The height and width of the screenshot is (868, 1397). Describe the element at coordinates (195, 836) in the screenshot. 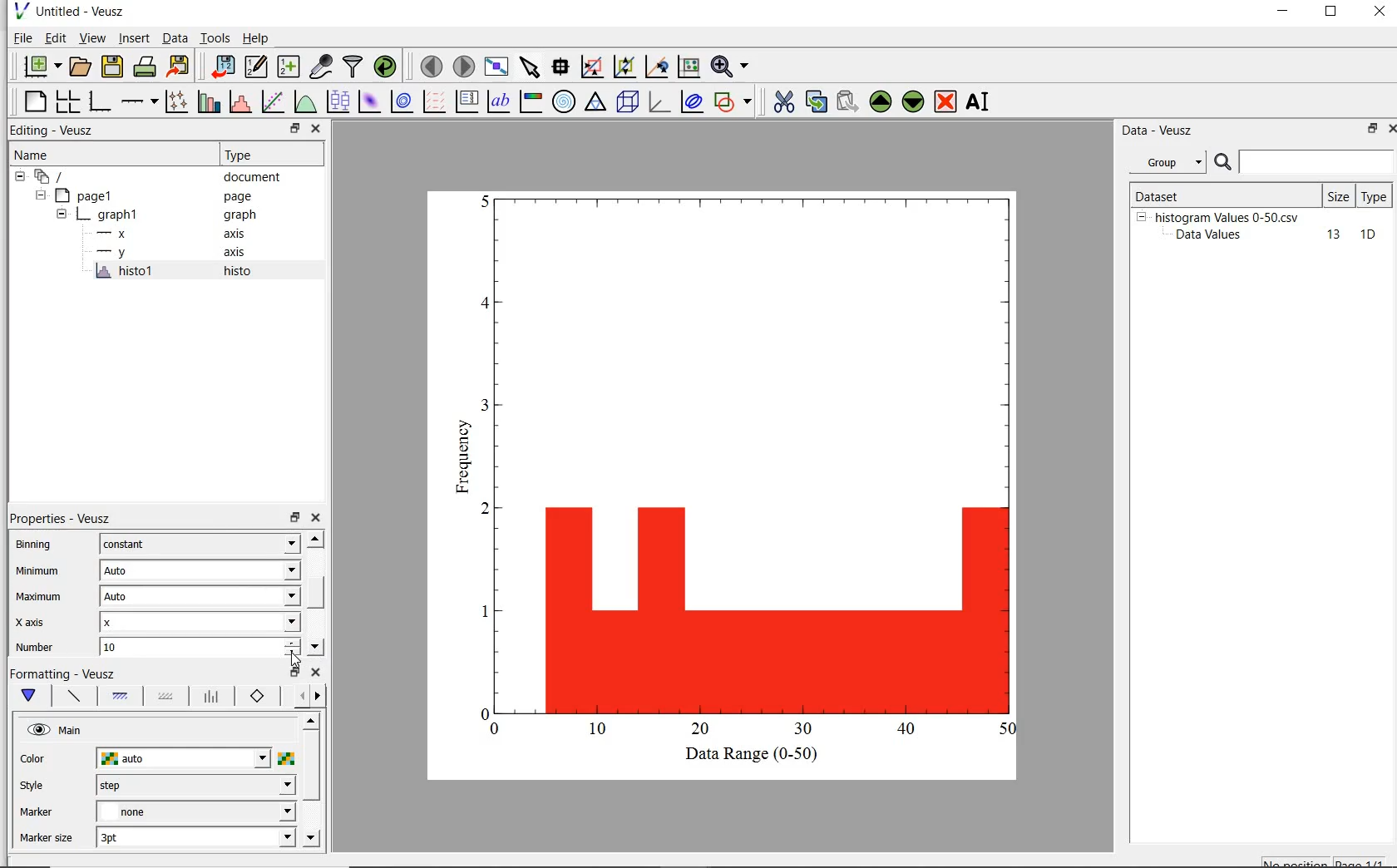

I see `3 pt ` at that location.